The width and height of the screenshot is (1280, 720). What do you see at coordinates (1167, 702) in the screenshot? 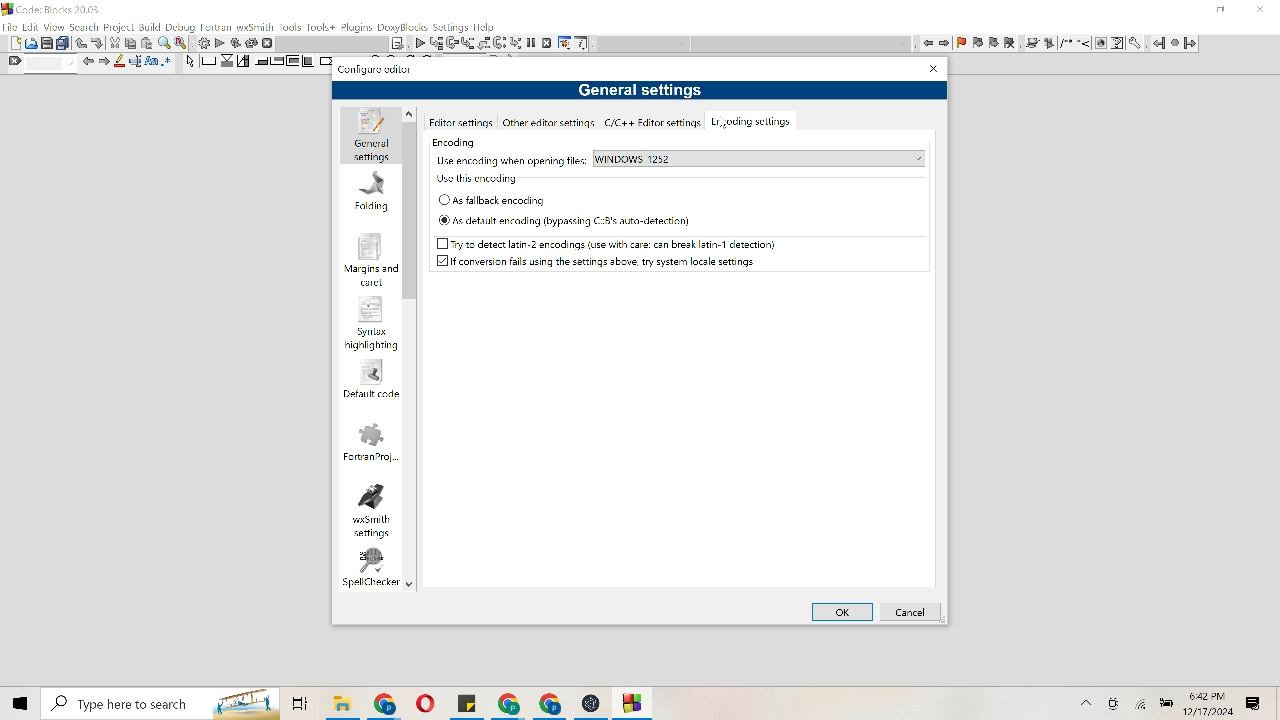
I see `Battery` at bounding box center [1167, 702].